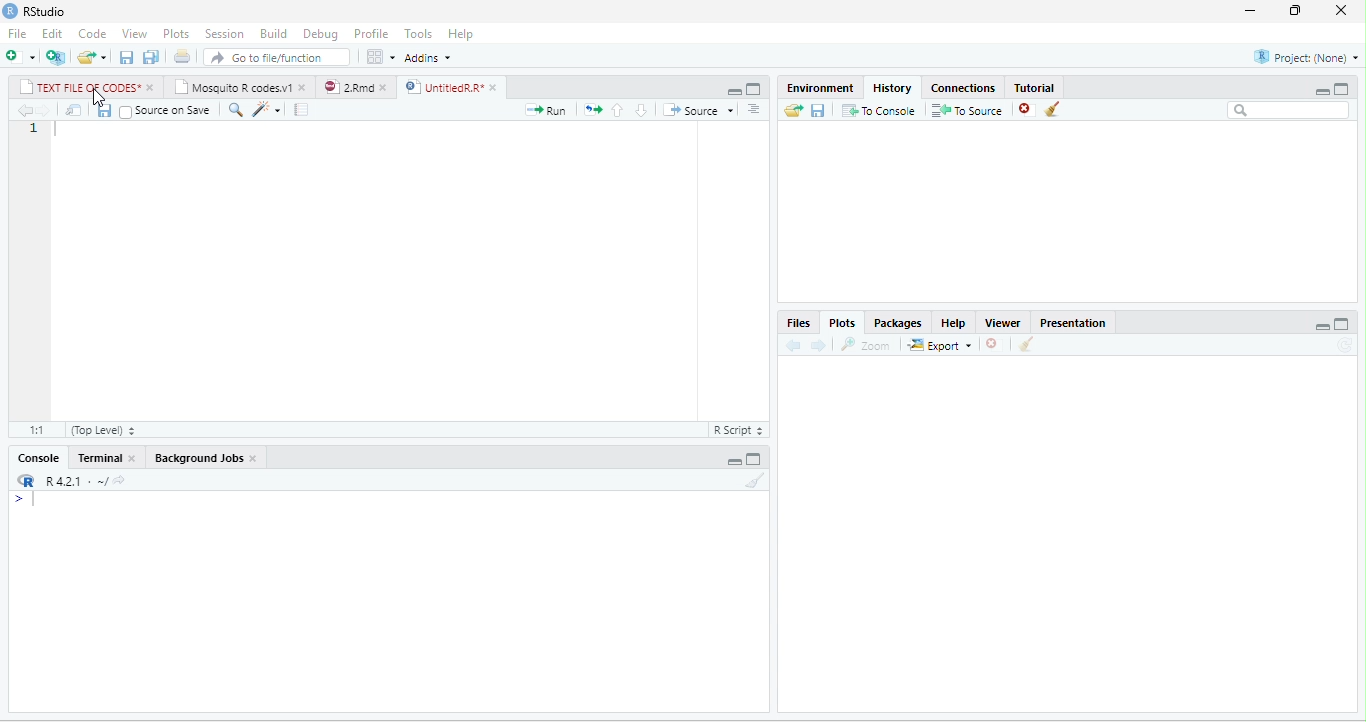 The height and width of the screenshot is (722, 1366). Describe the element at coordinates (443, 87) in the screenshot. I see `UntitledR.R` at that location.